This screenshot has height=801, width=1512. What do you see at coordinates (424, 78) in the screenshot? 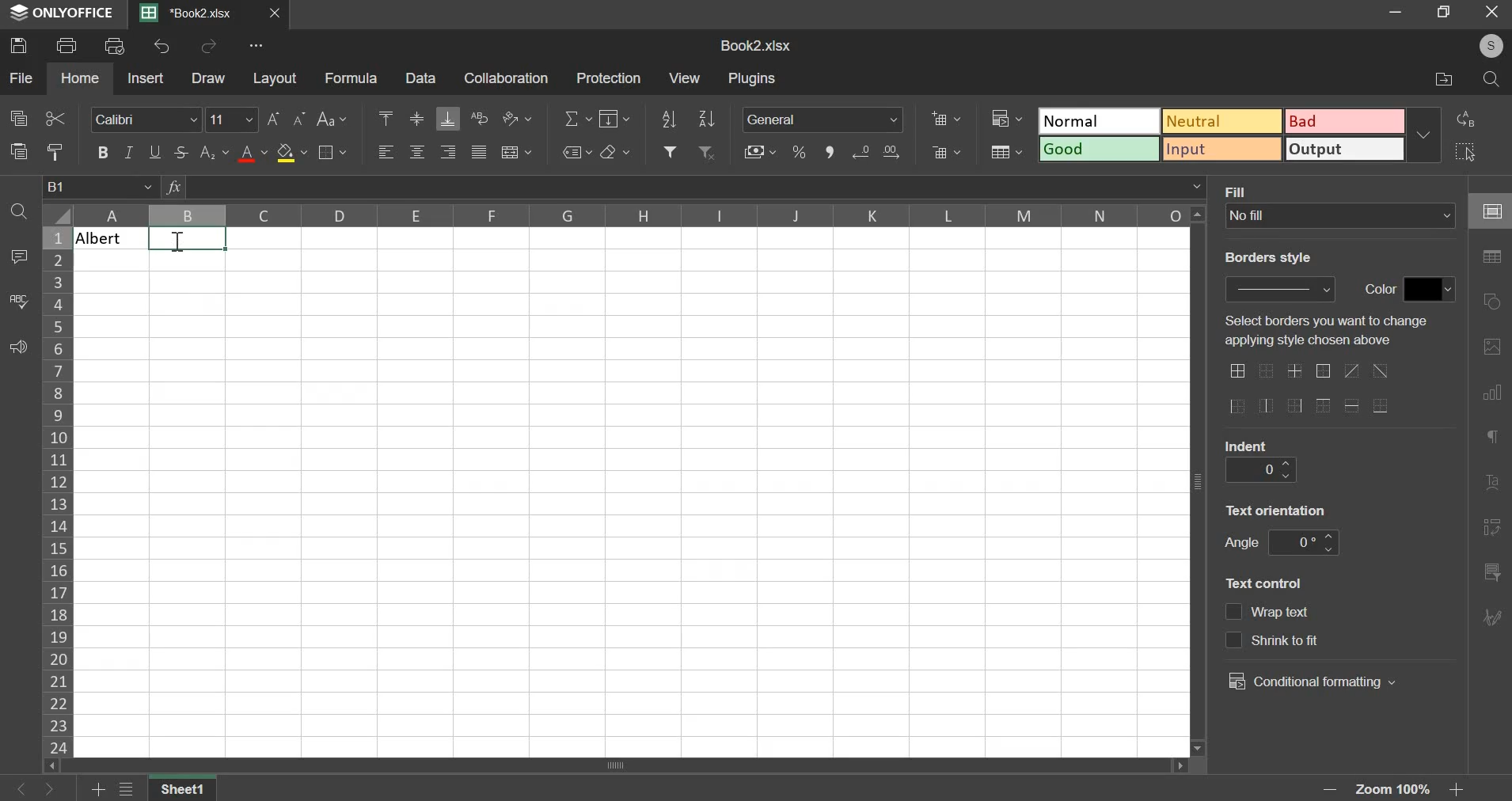
I see `data` at bounding box center [424, 78].